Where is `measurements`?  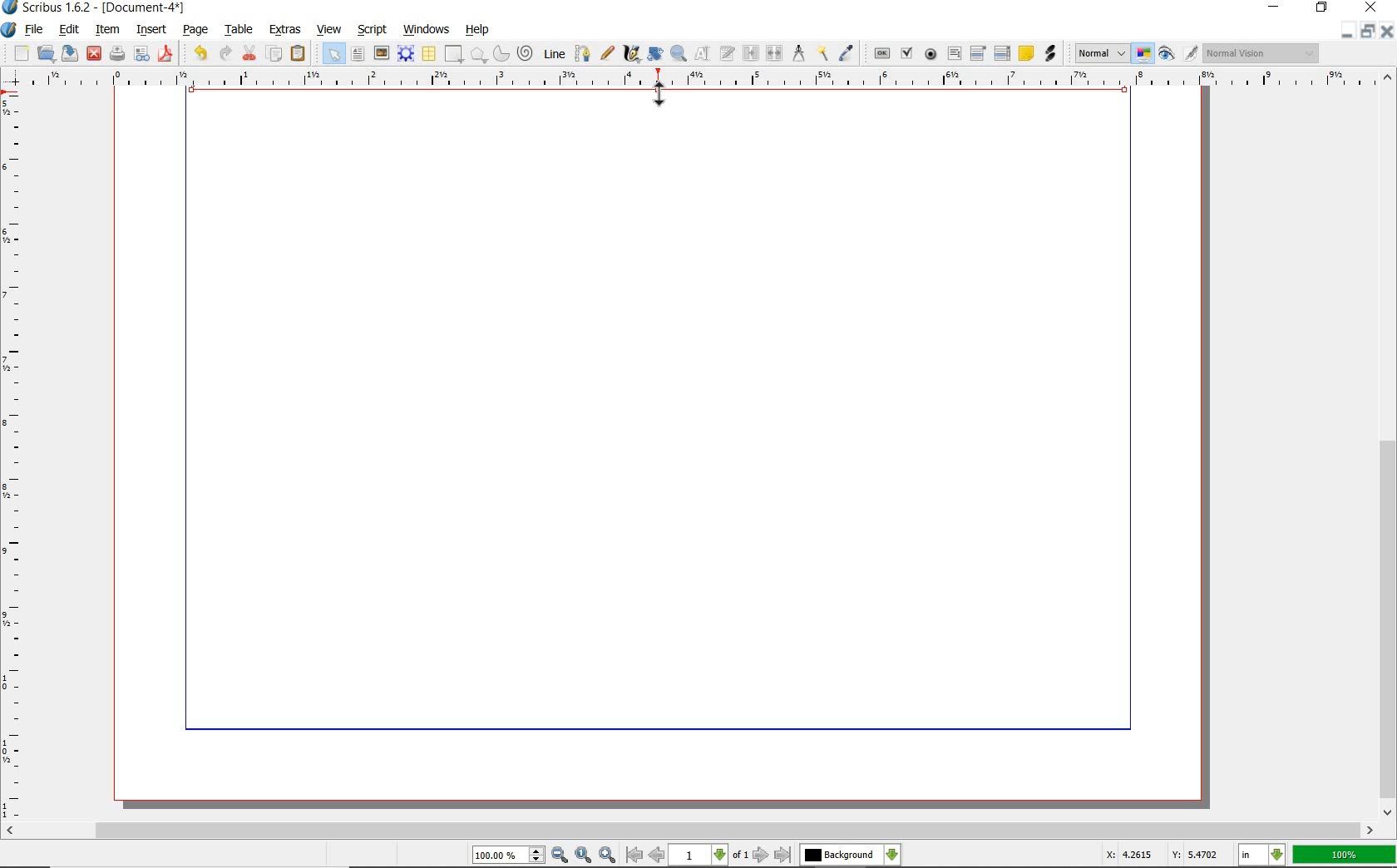 measurements is located at coordinates (798, 54).